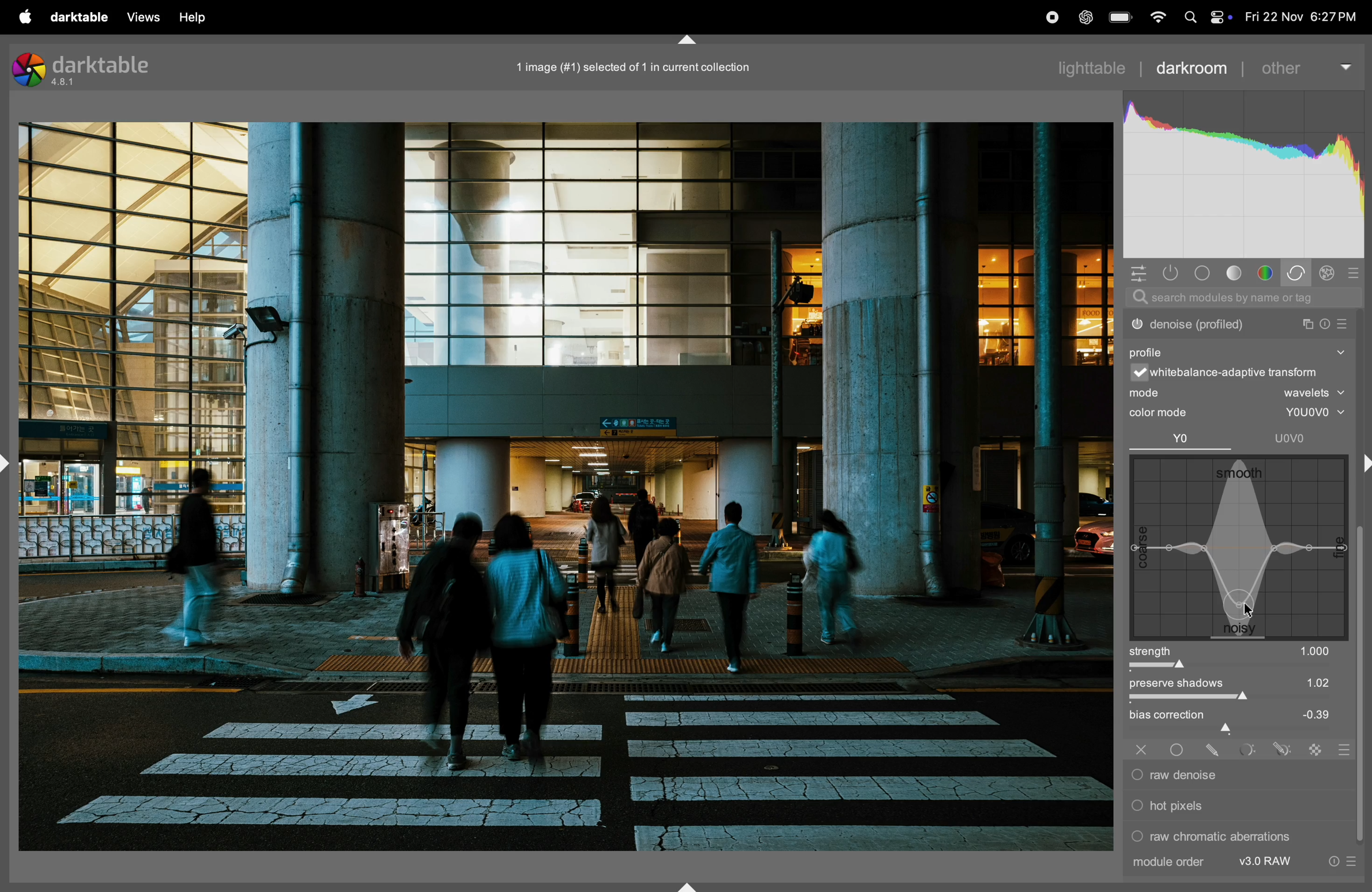  I want to click on bias correctiom, so click(1234, 721).